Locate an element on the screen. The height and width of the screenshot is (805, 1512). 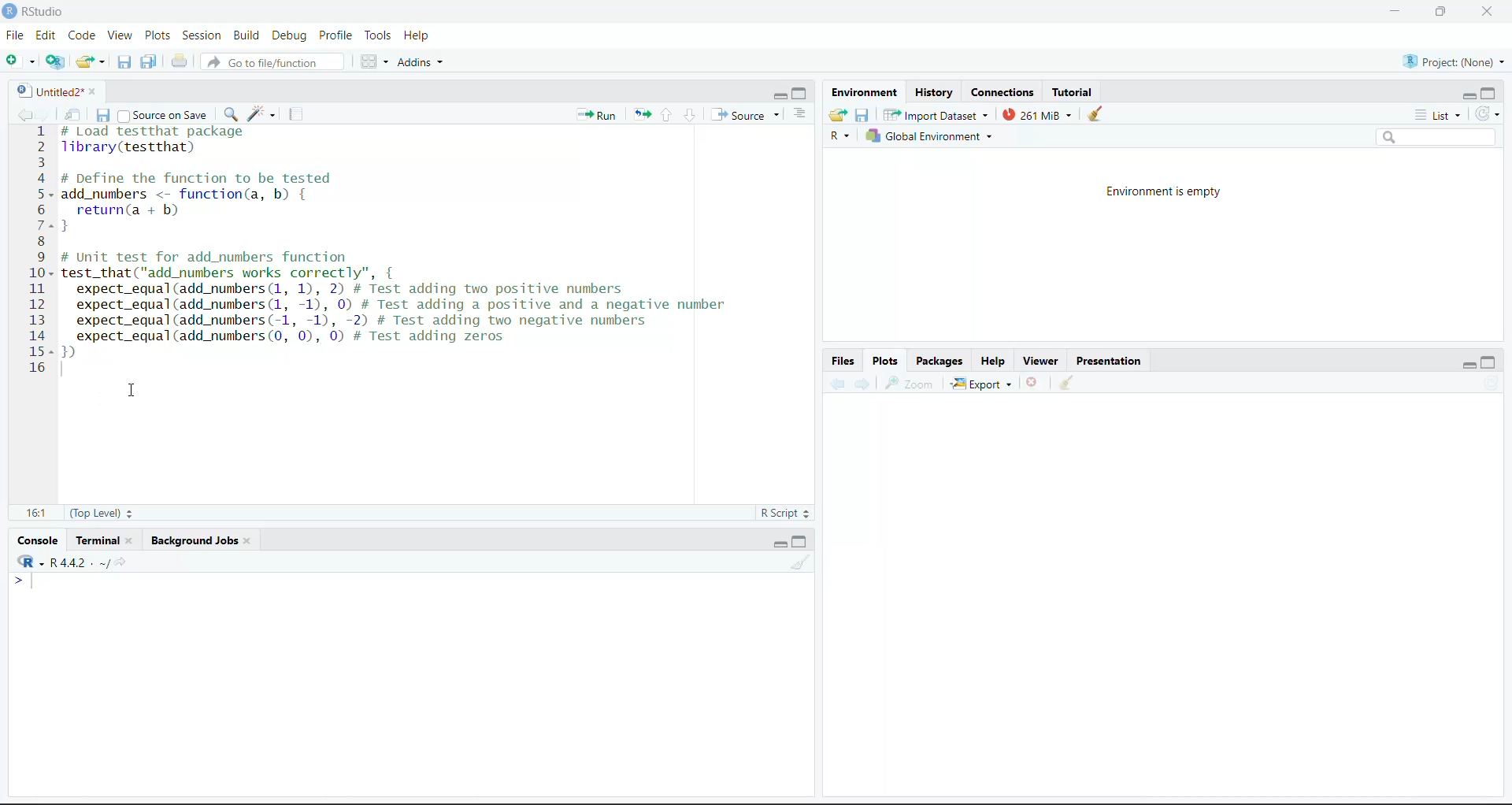
R -R 4.4.2 . ~/ is located at coordinates (76, 562).